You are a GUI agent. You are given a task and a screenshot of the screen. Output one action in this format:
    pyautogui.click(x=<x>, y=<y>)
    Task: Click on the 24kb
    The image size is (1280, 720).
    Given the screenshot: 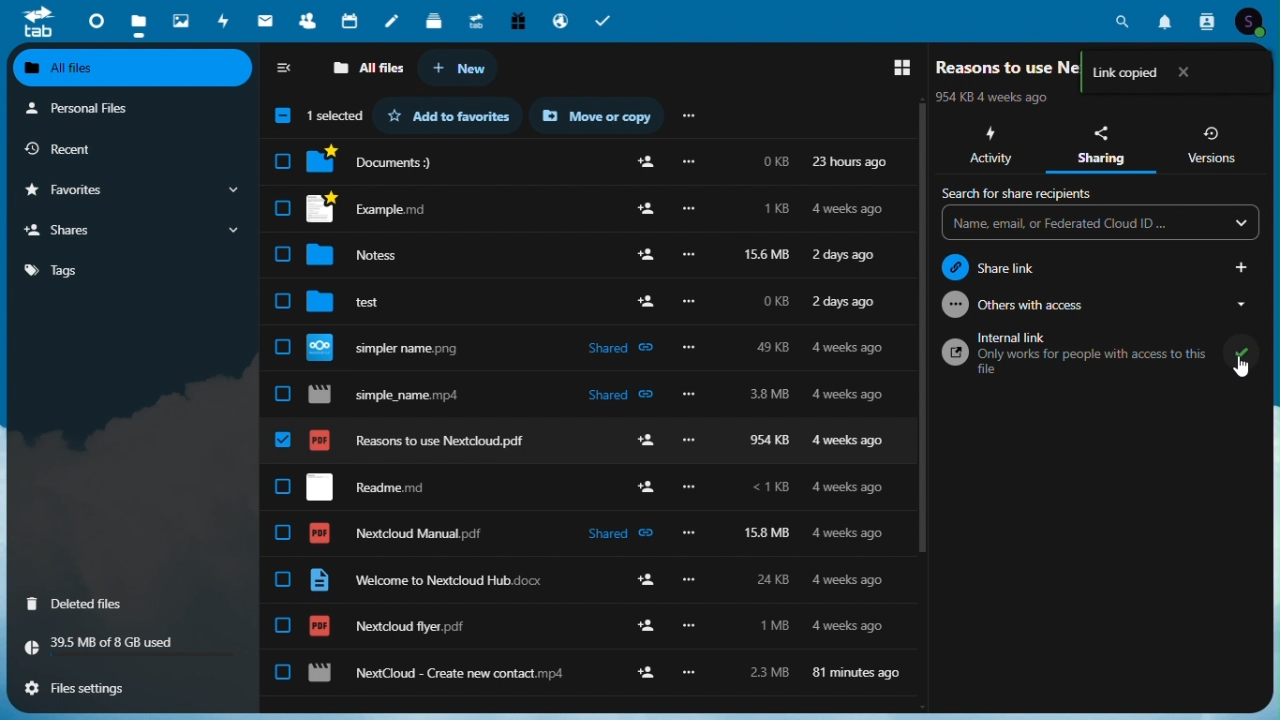 What is the action you would take?
    pyautogui.click(x=771, y=581)
    